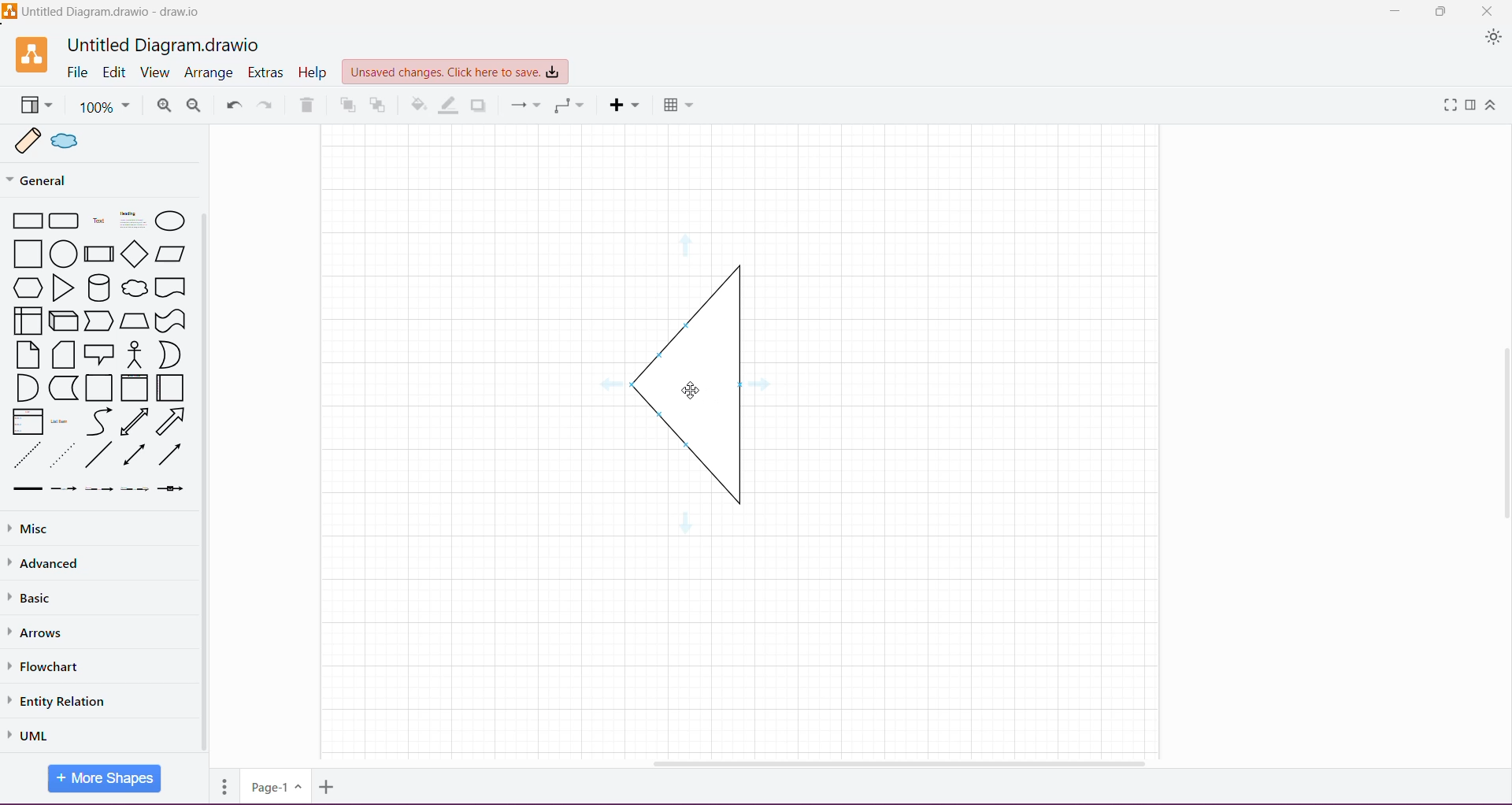  I want to click on Redo, so click(268, 104).